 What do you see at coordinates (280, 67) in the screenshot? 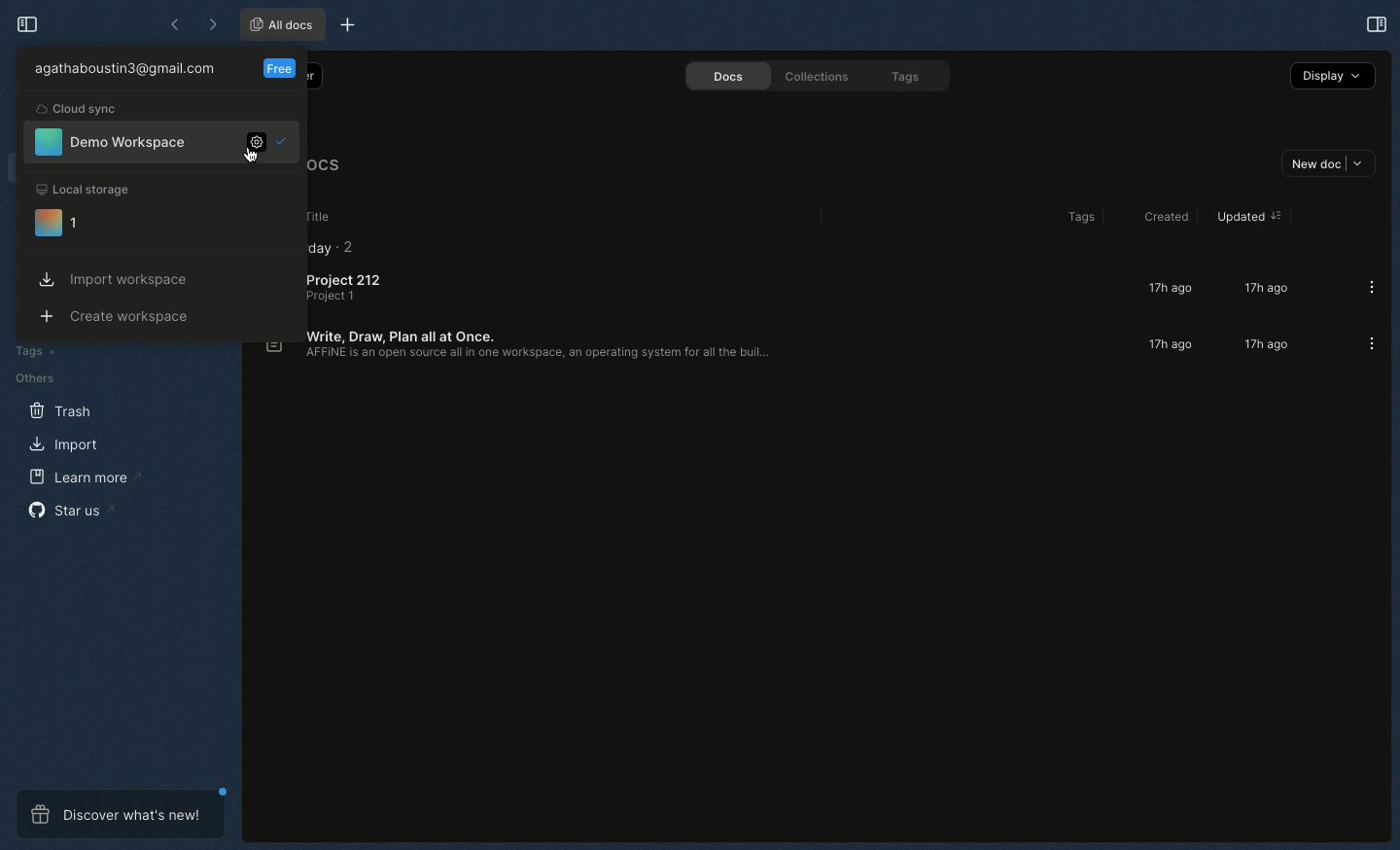
I see `Free` at bounding box center [280, 67].